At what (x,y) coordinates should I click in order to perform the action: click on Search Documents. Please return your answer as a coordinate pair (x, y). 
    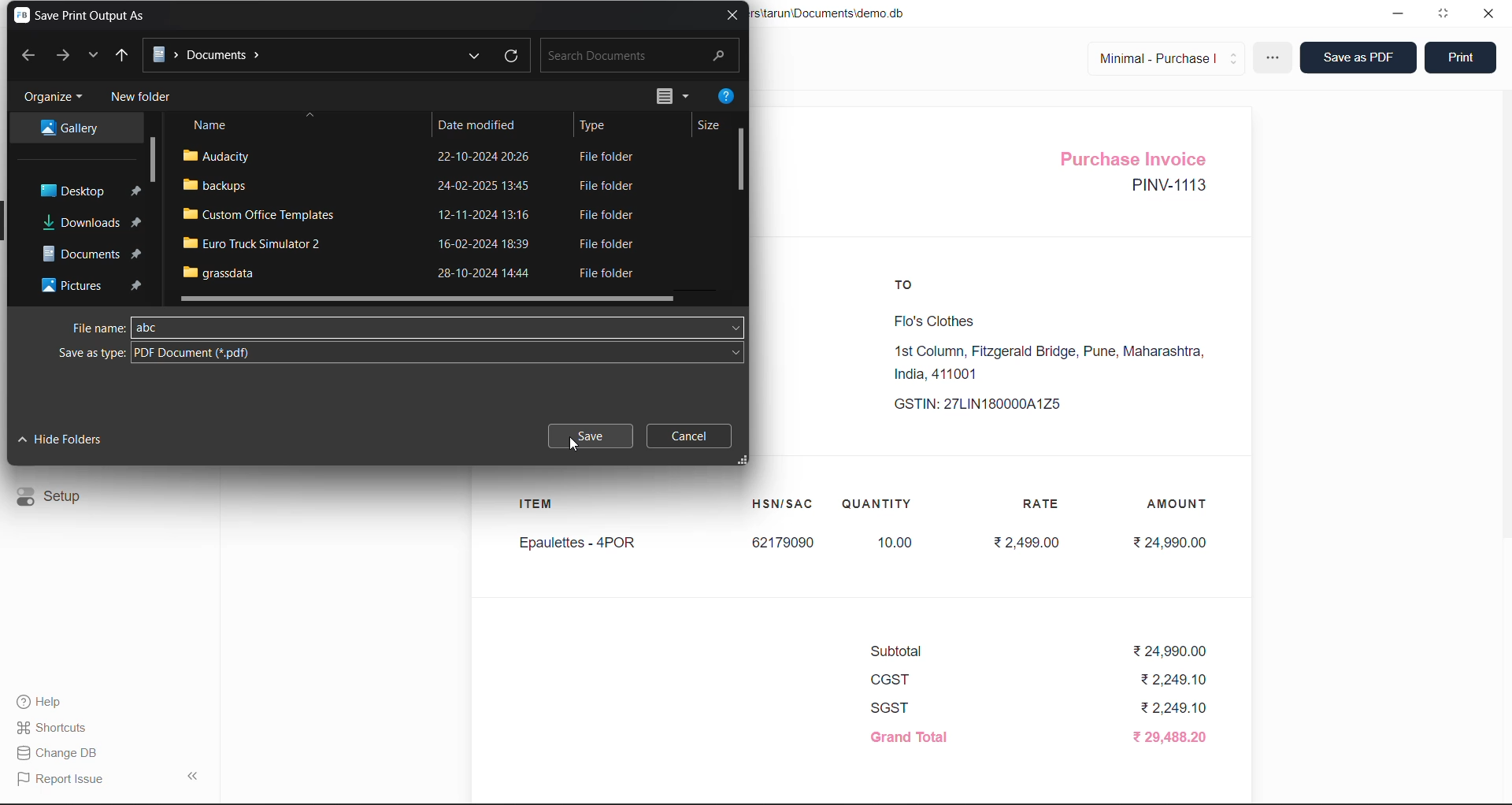
    Looking at the image, I should click on (608, 57).